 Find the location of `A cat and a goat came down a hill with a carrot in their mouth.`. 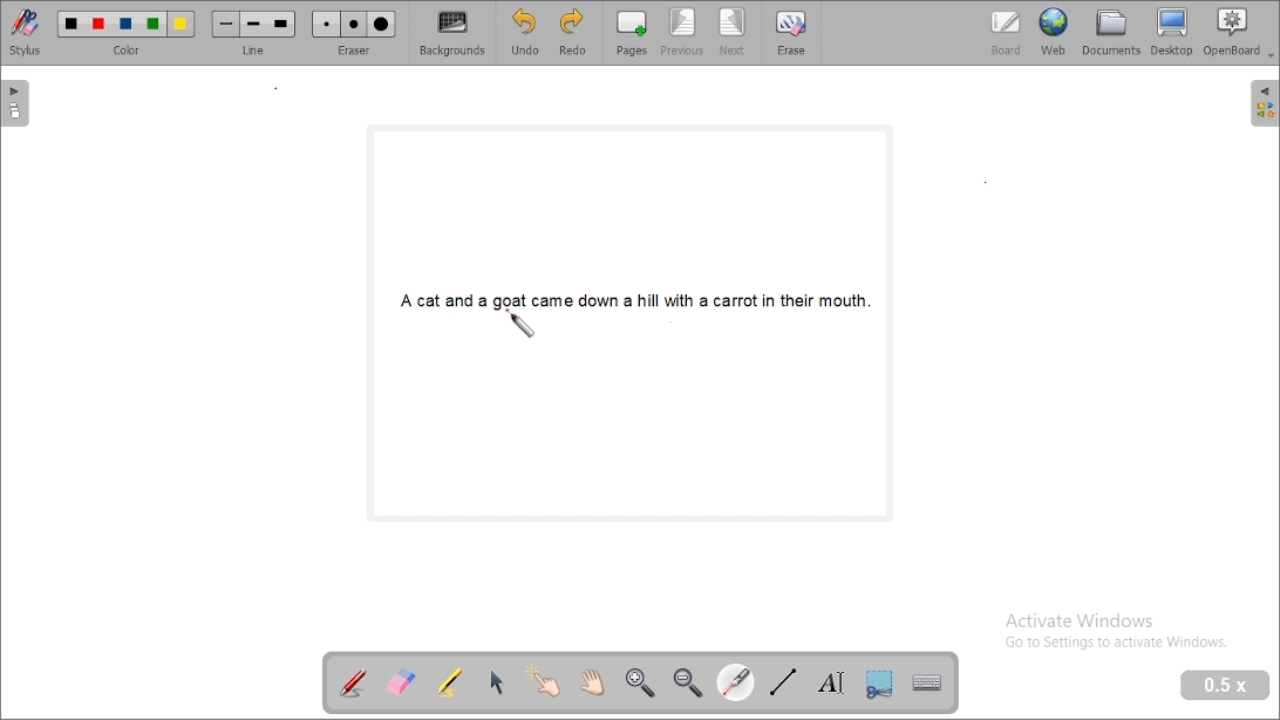

A cat and a goat came down a hill with a carrot in their mouth. is located at coordinates (635, 300).